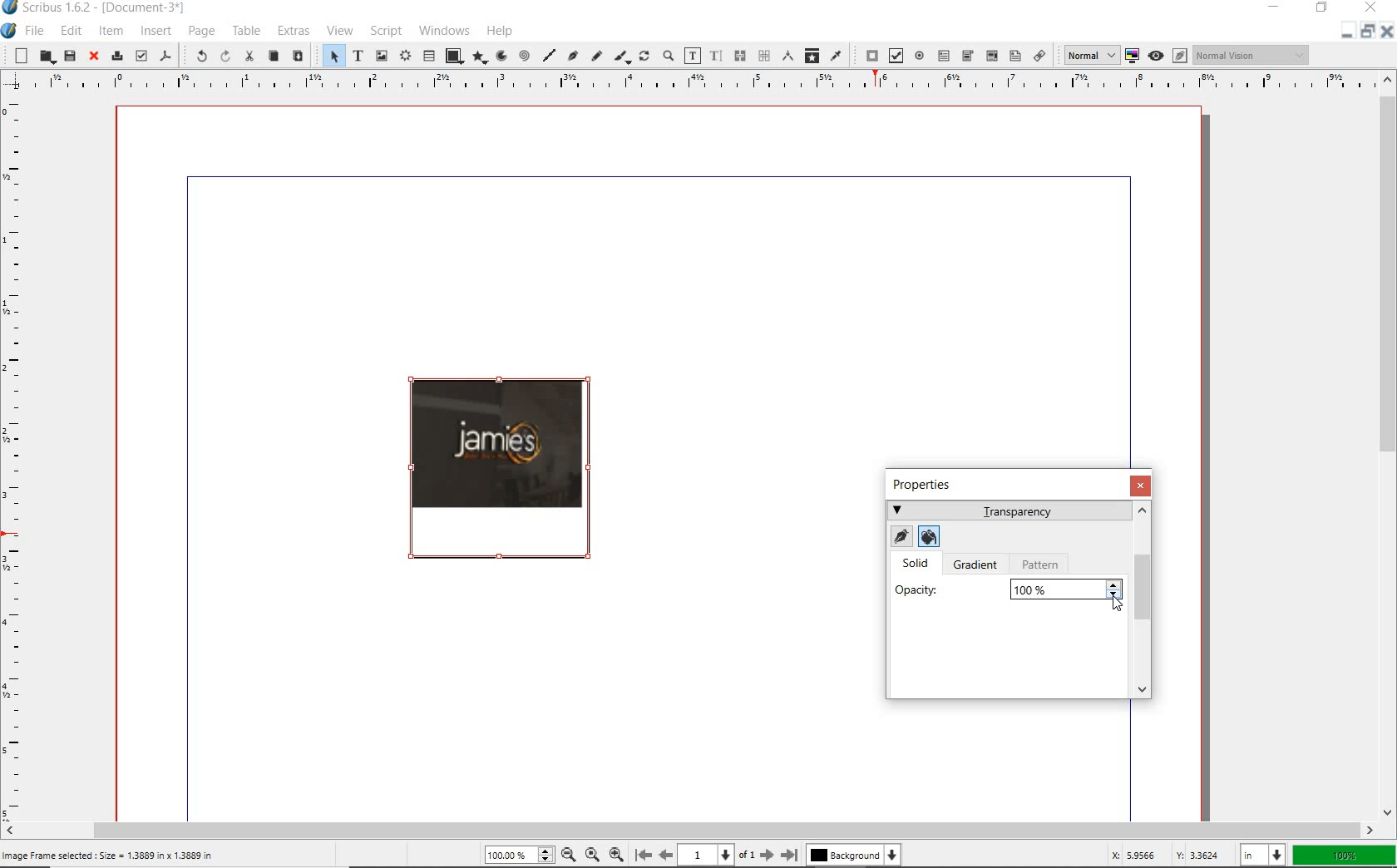  Describe the element at coordinates (1008, 589) in the screenshot. I see `OPACITY` at that location.